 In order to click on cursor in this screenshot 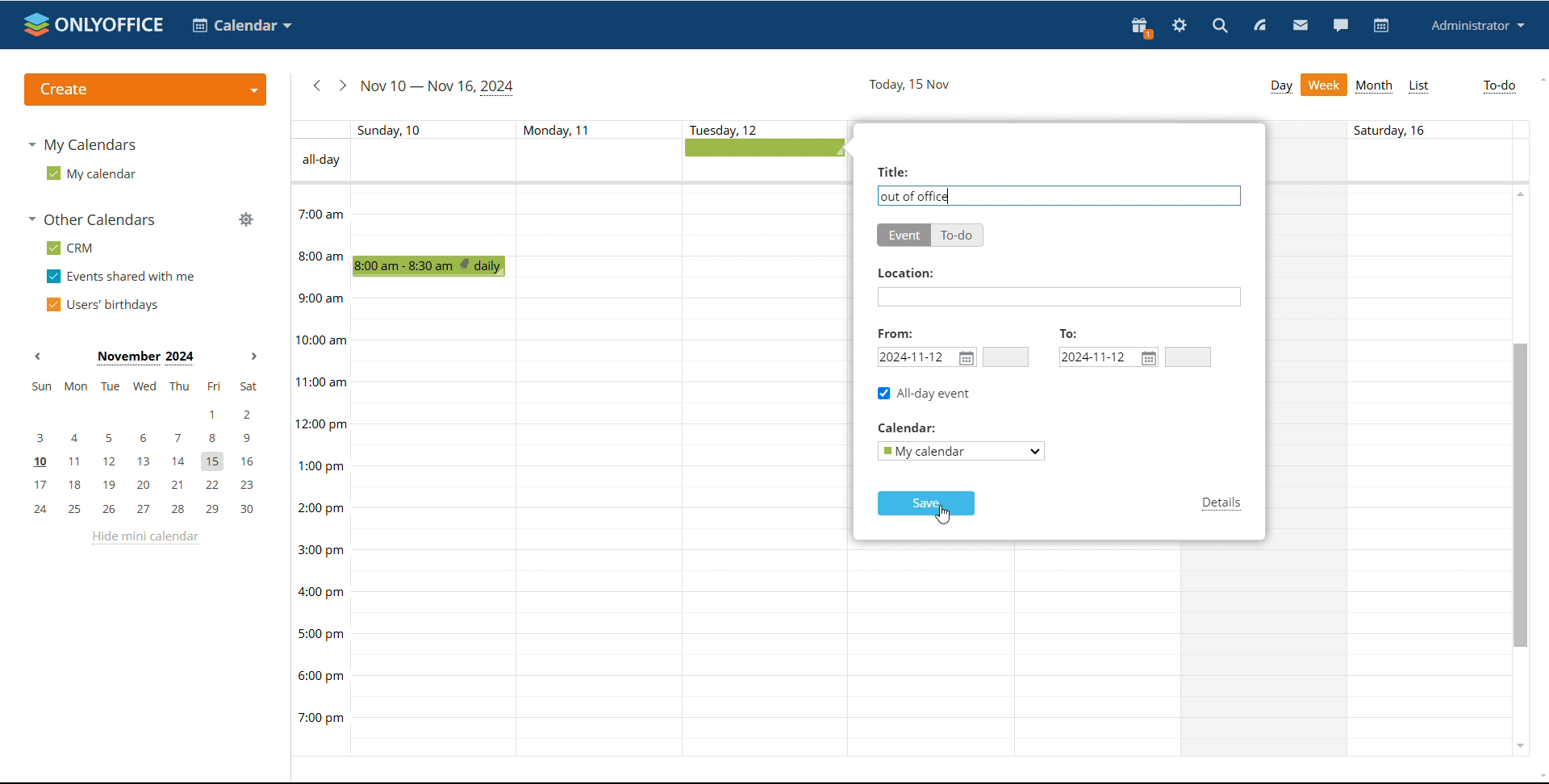, I will do `click(944, 515)`.